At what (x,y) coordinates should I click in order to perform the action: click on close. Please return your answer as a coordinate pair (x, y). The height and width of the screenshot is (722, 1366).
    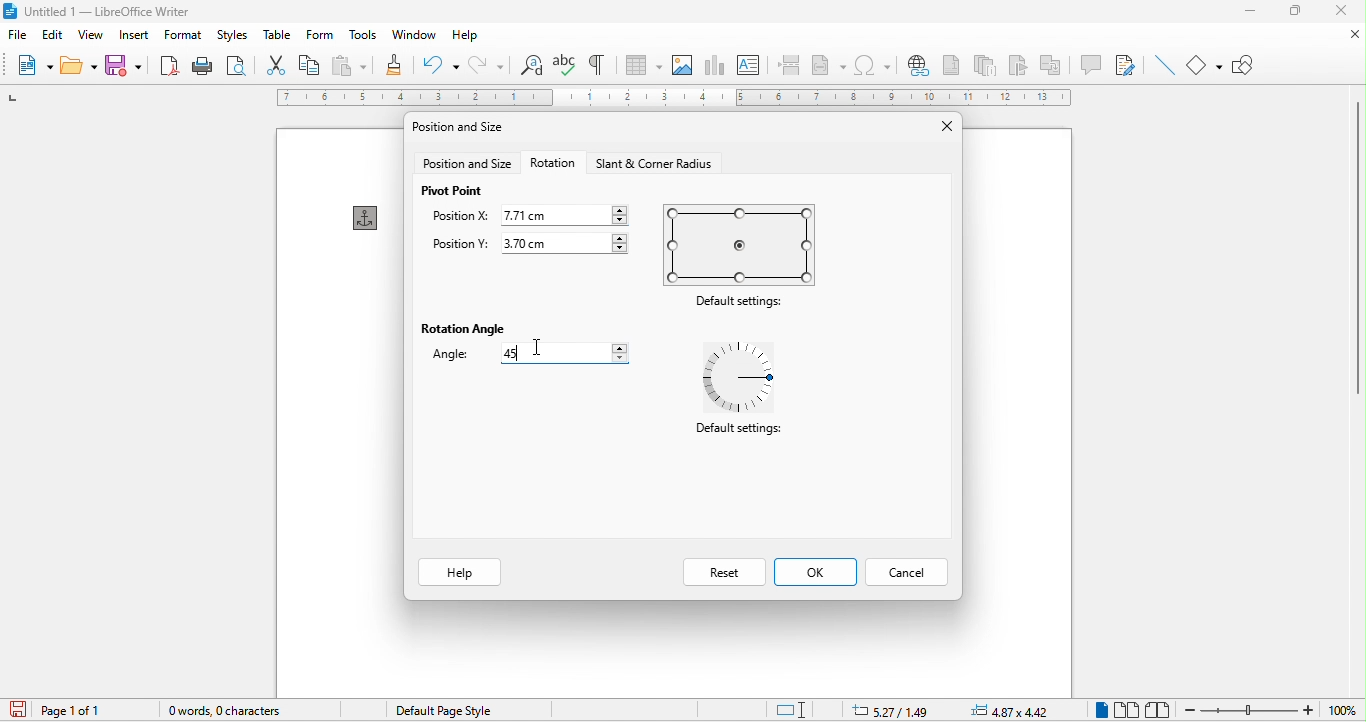
    Looking at the image, I should click on (1343, 11).